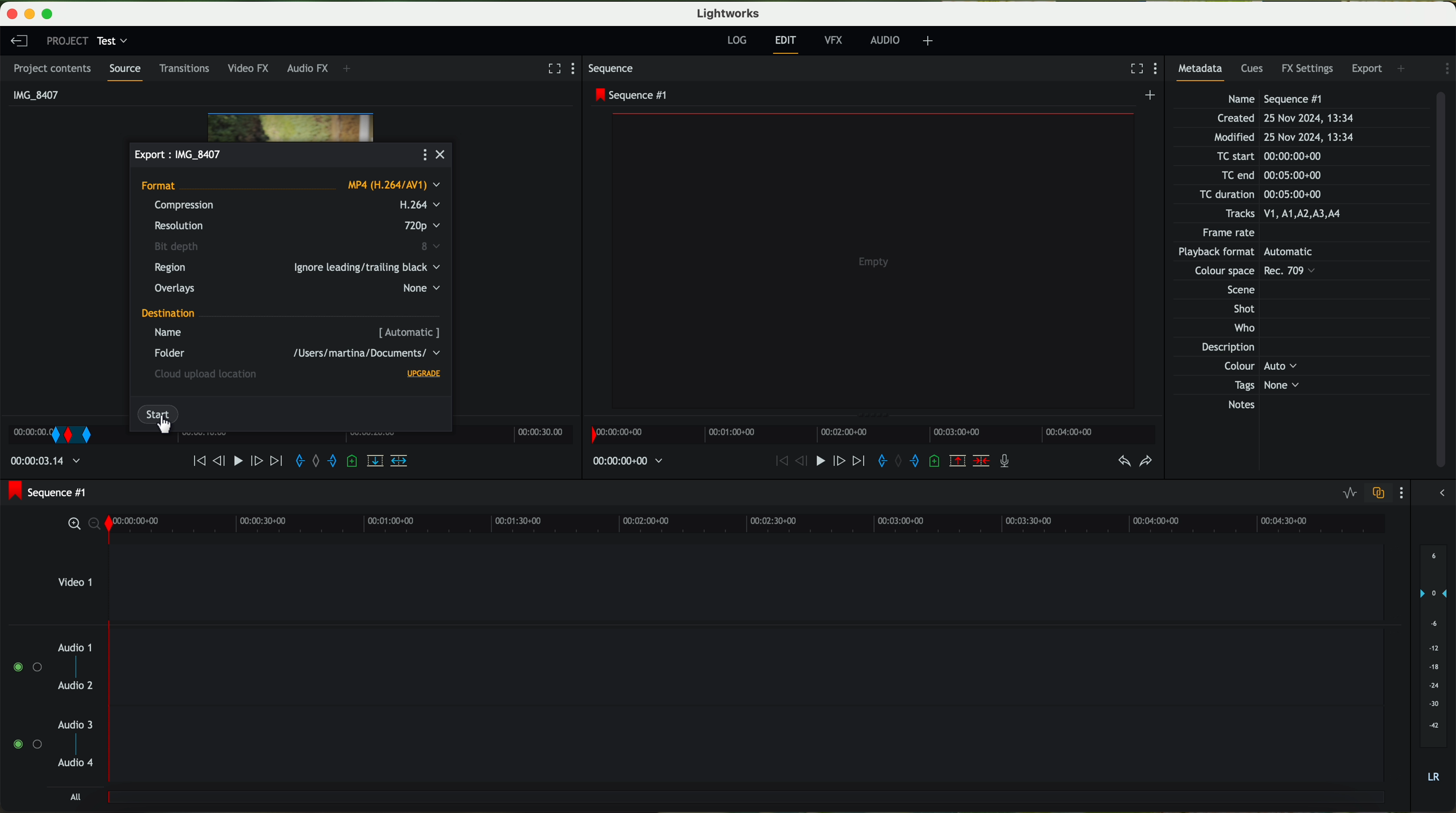  I want to click on transitions, so click(187, 68).